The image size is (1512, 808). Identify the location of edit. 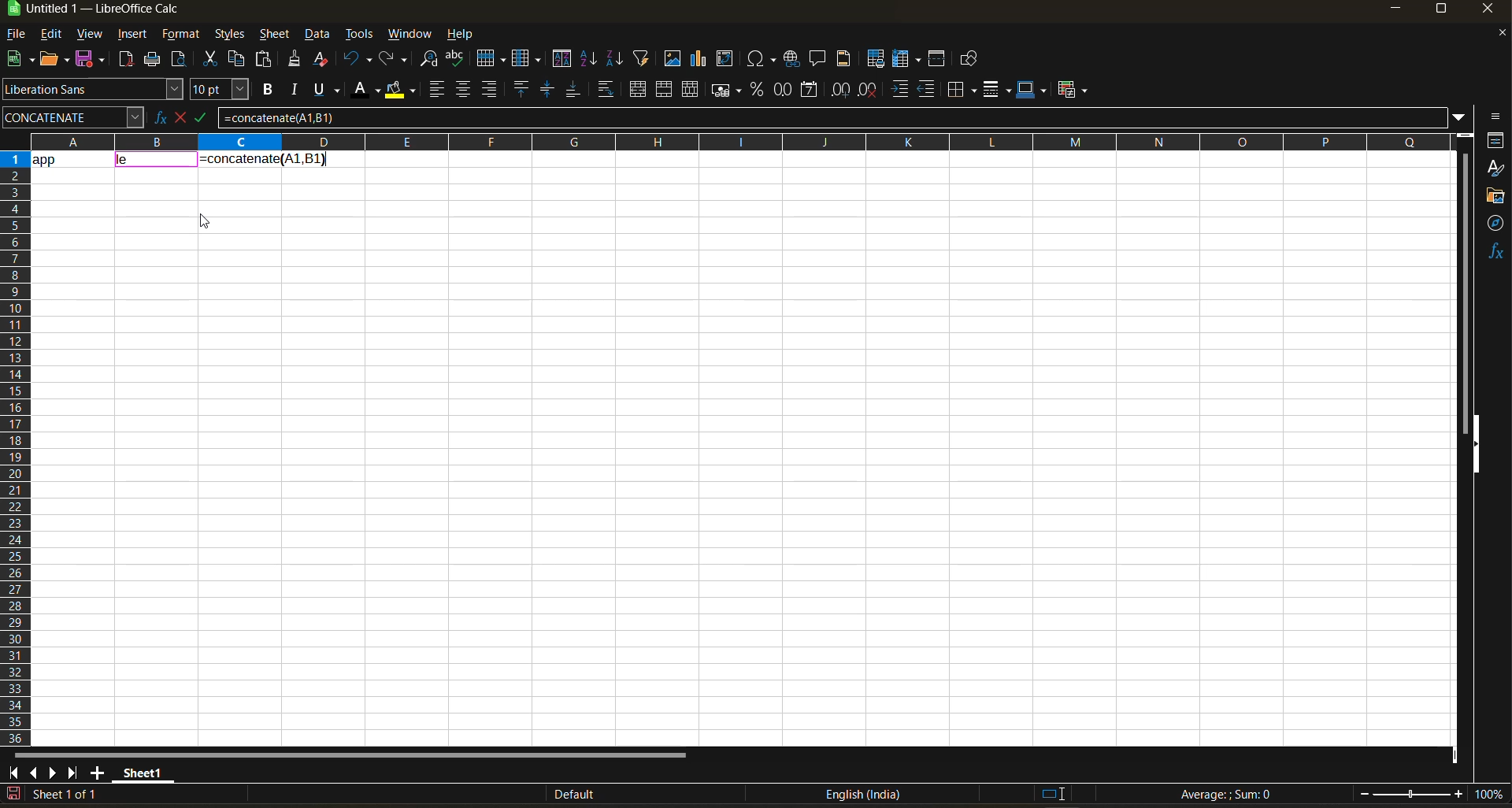
(51, 32).